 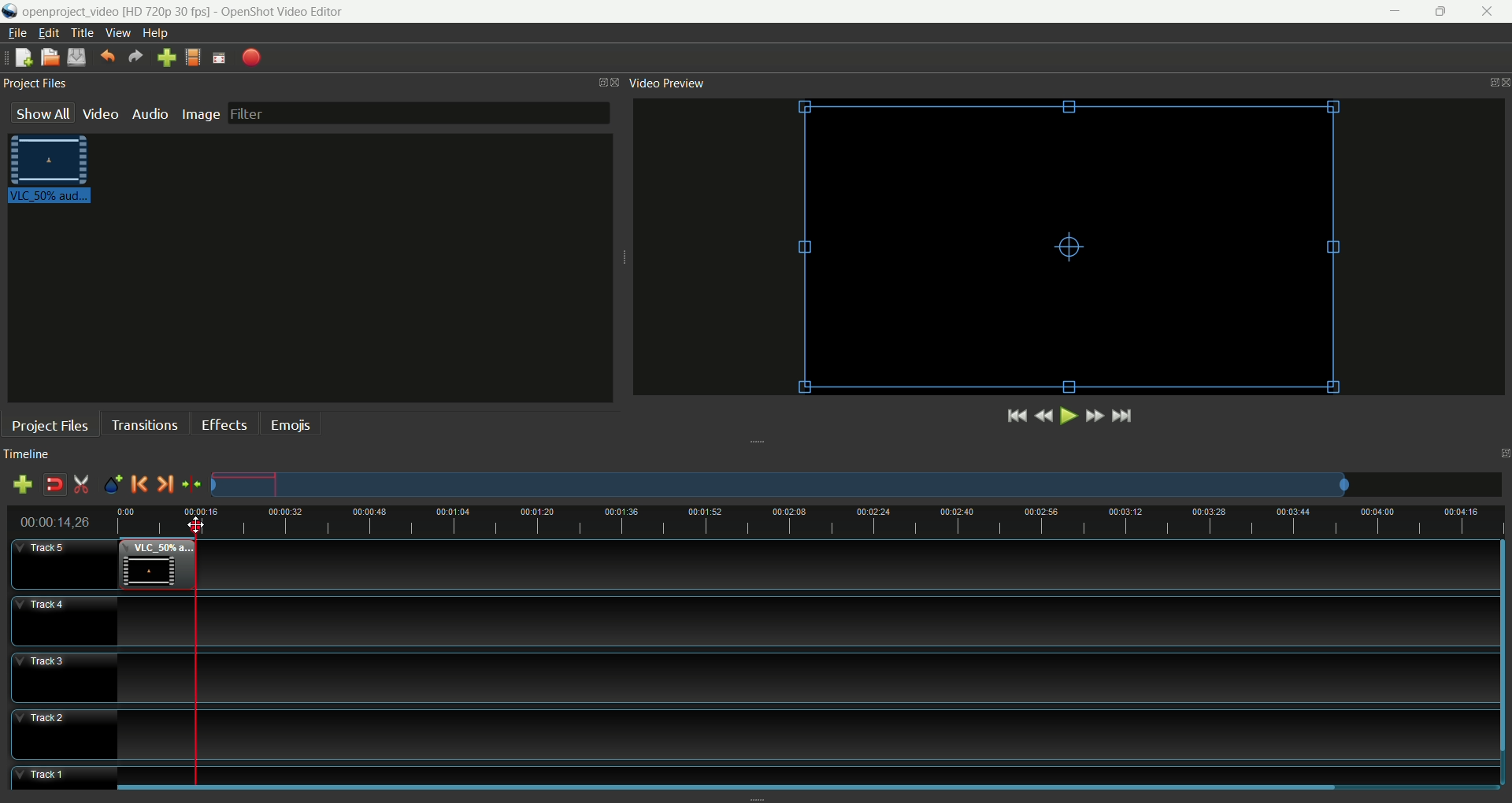 I want to click on project files, so click(x=35, y=81).